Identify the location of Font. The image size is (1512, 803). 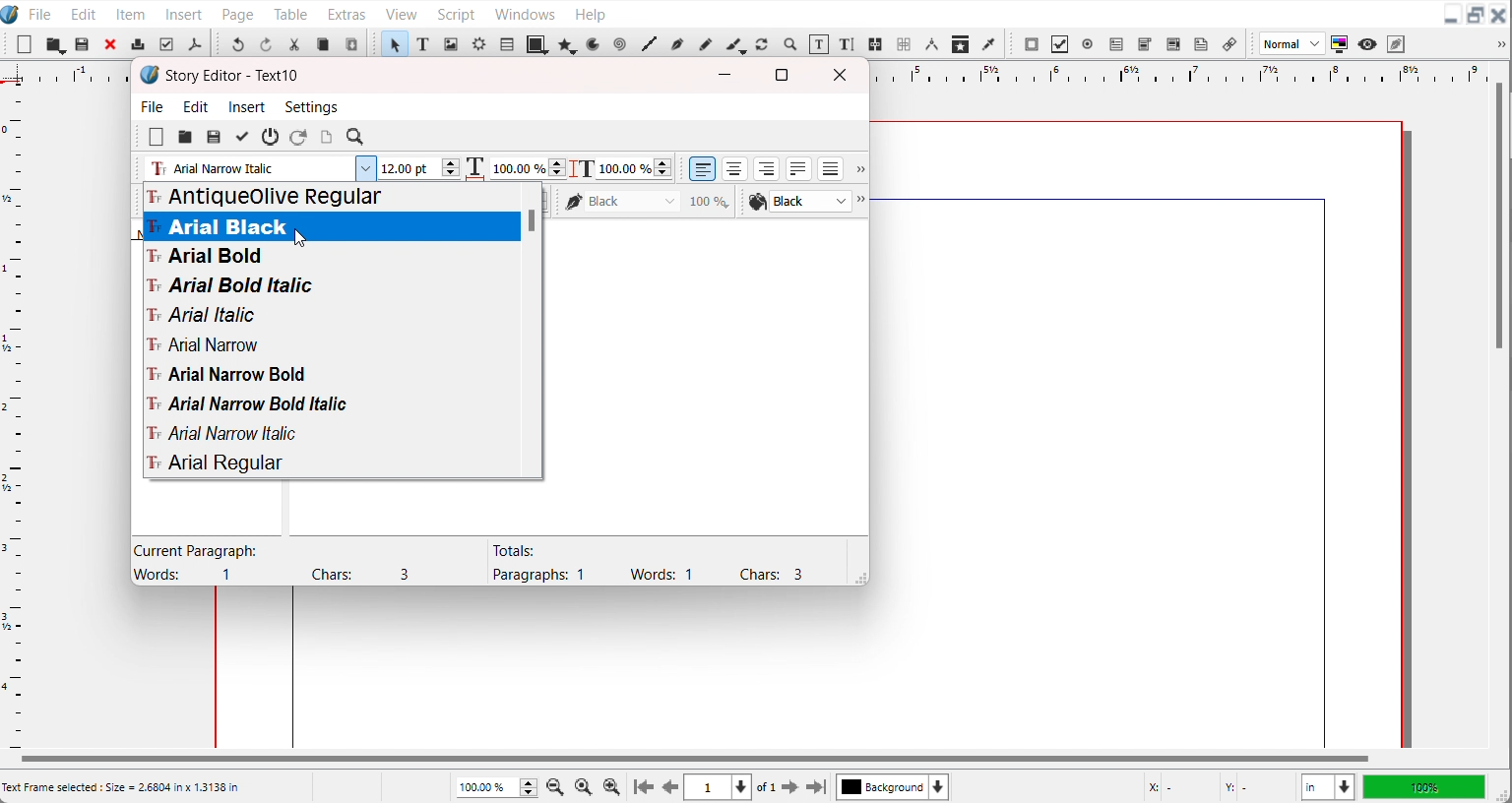
(331, 285).